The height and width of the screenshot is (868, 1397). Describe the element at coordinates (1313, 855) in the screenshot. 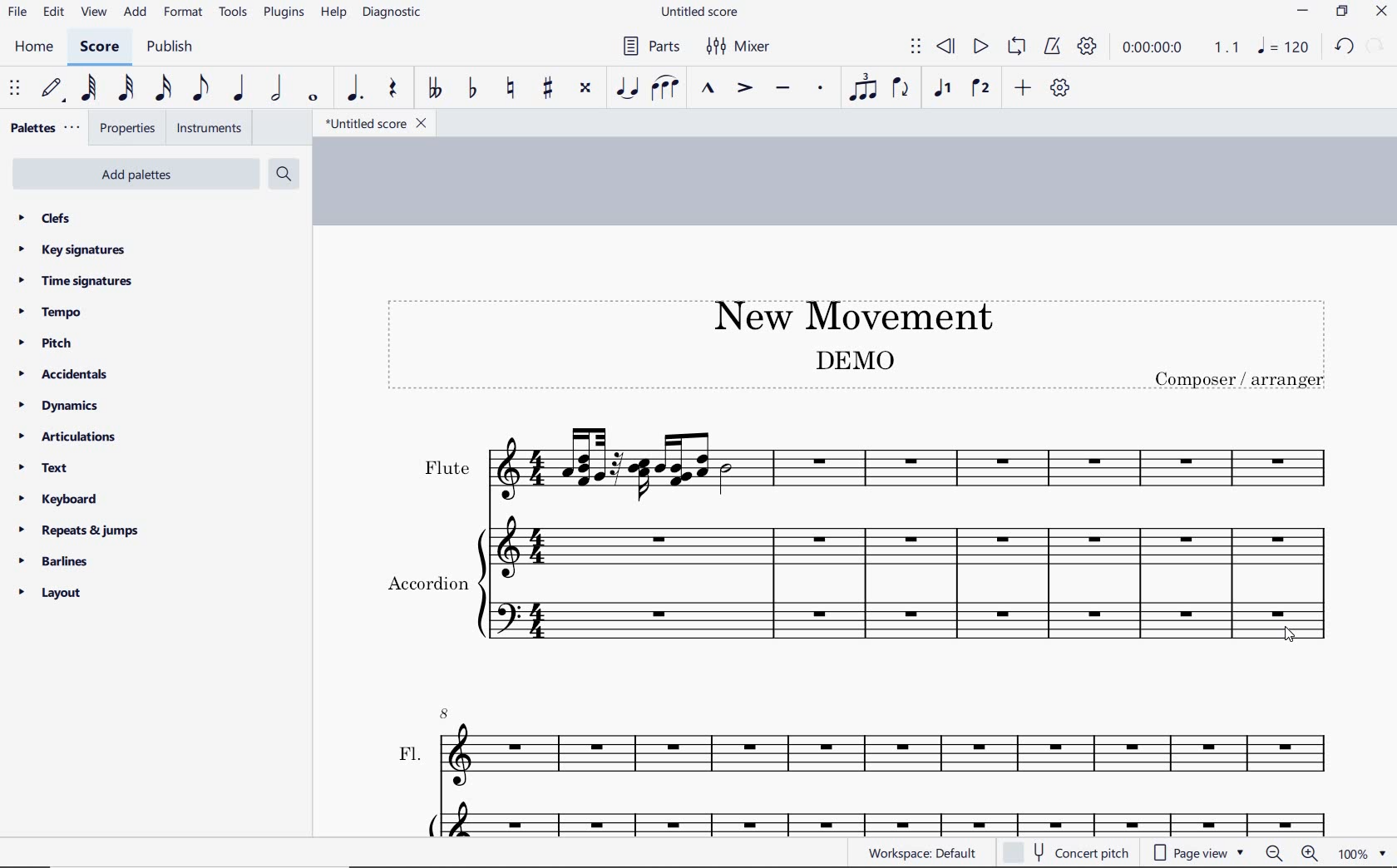

I see `zoom in` at that location.